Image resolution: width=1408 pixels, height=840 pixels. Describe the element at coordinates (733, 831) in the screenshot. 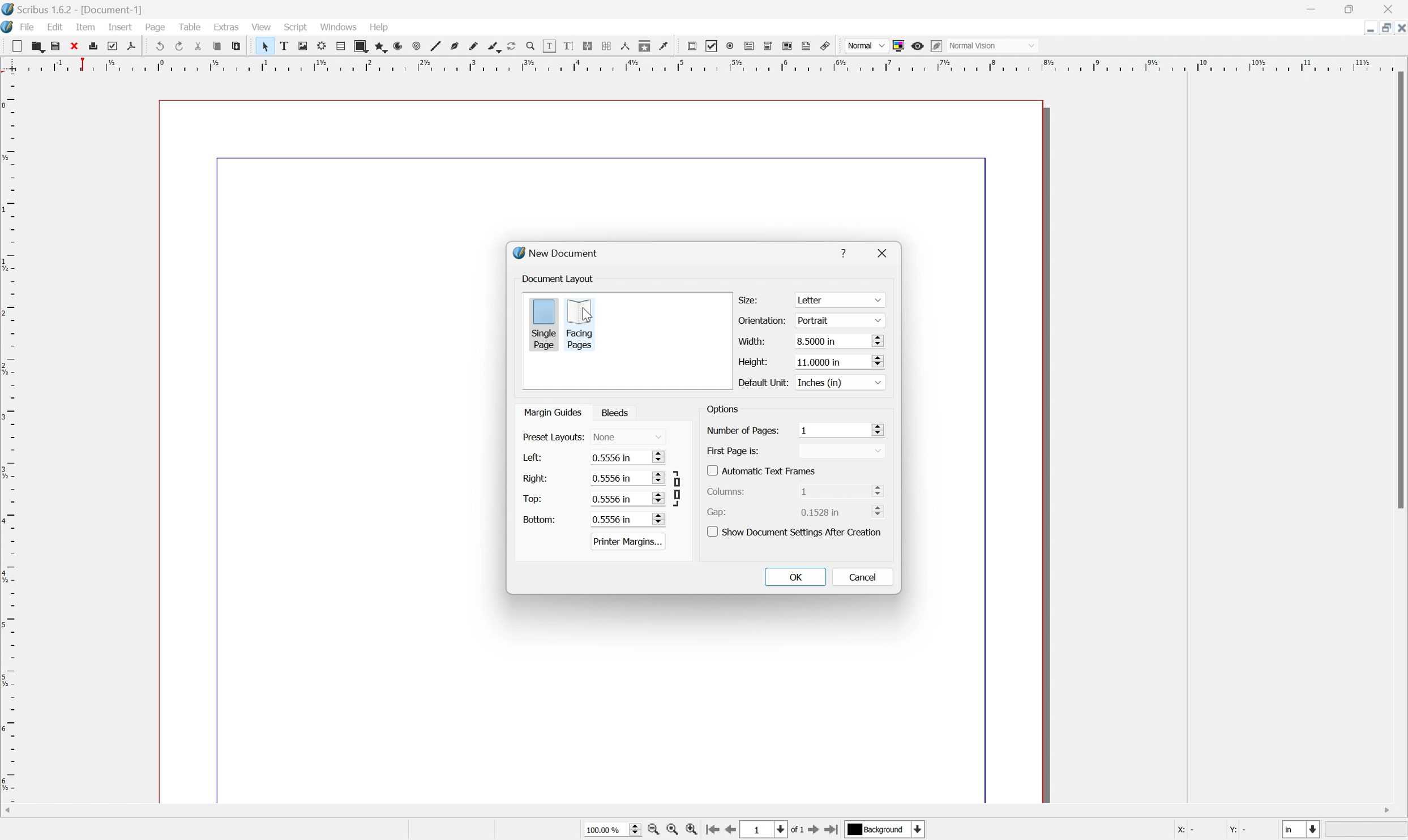

I see `go to previous page` at that location.